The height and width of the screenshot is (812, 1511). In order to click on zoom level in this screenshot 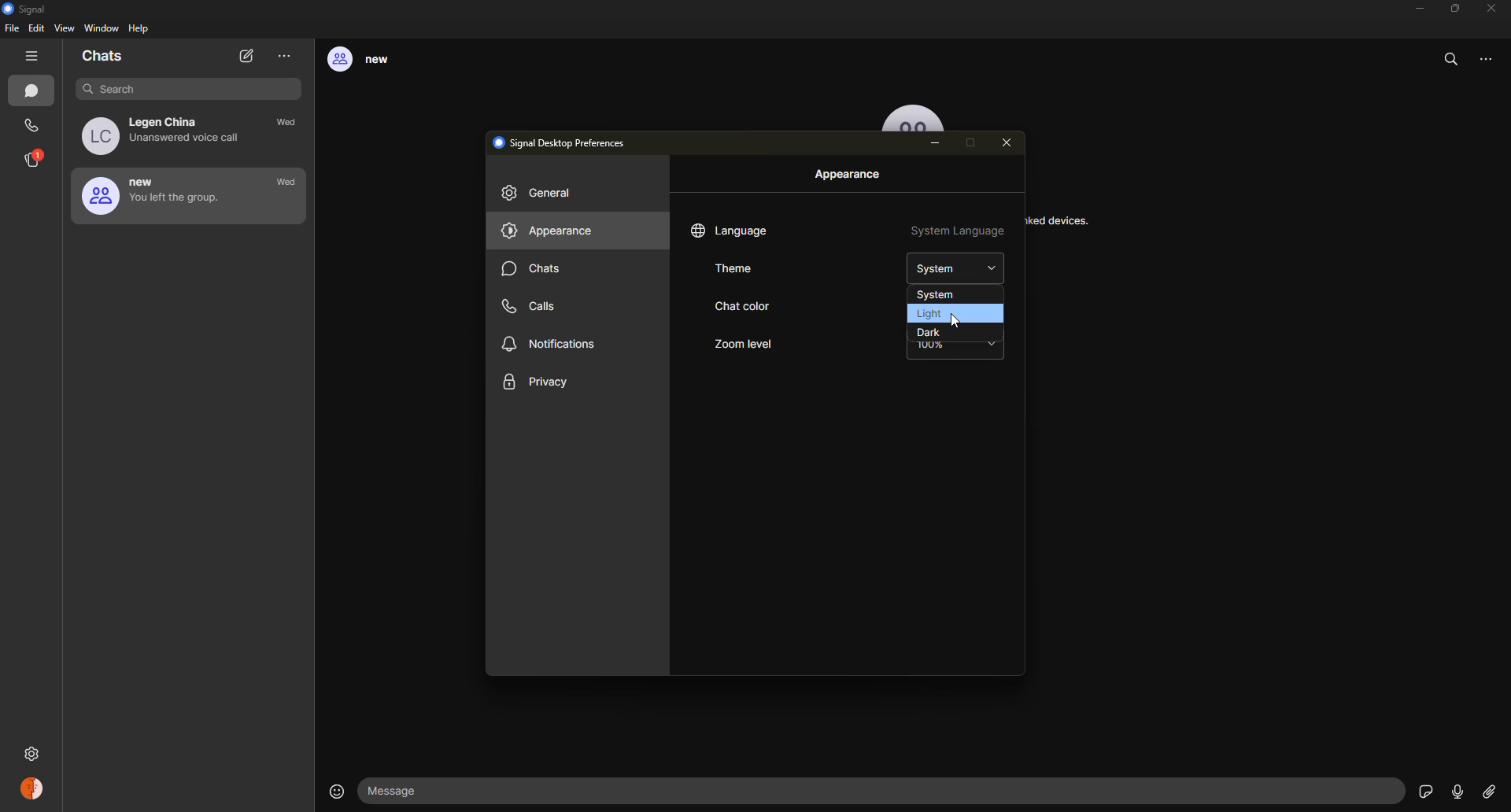, I will do `click(744, 345)`.